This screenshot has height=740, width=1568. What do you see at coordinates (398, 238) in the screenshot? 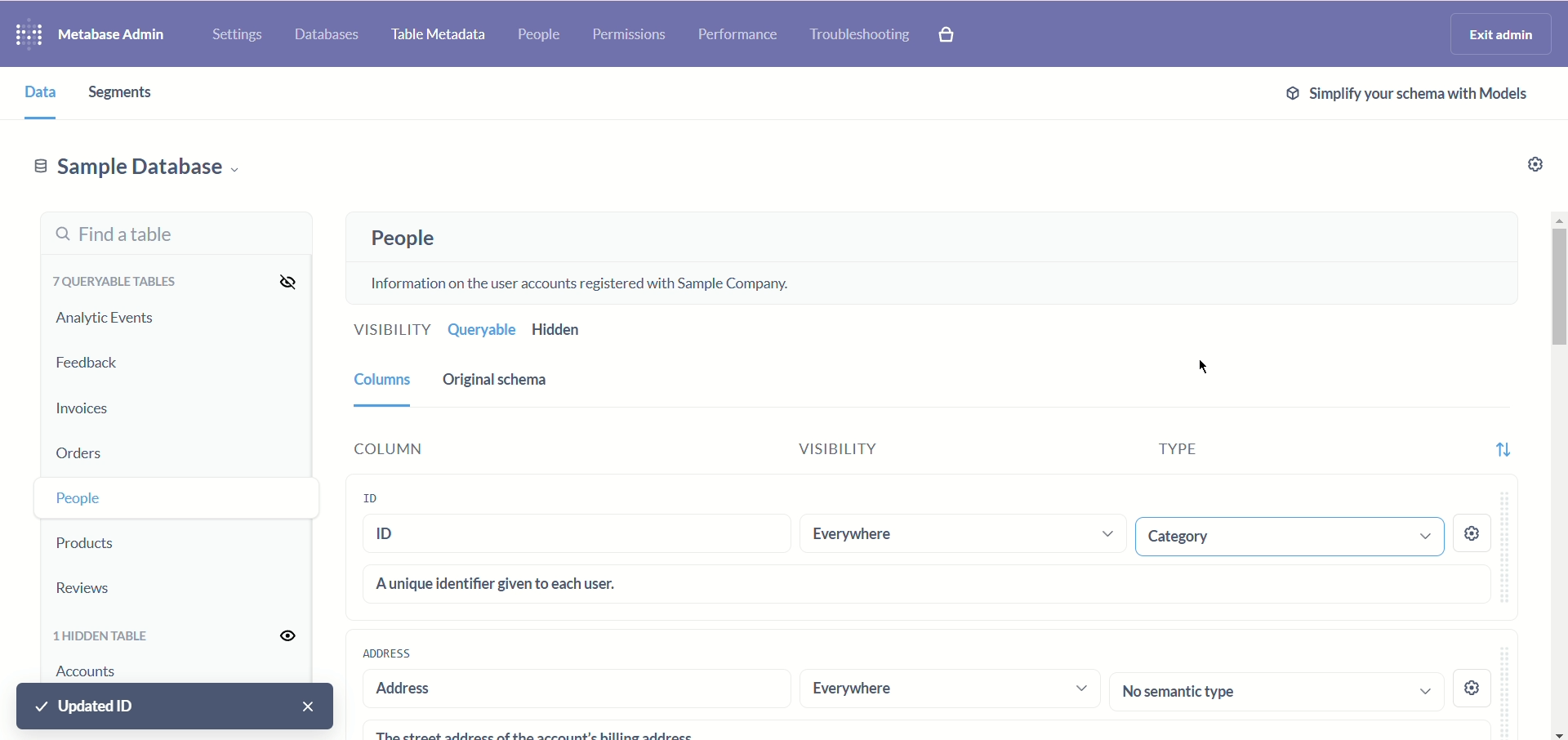
I see `People` at bounding box center [398, 238].